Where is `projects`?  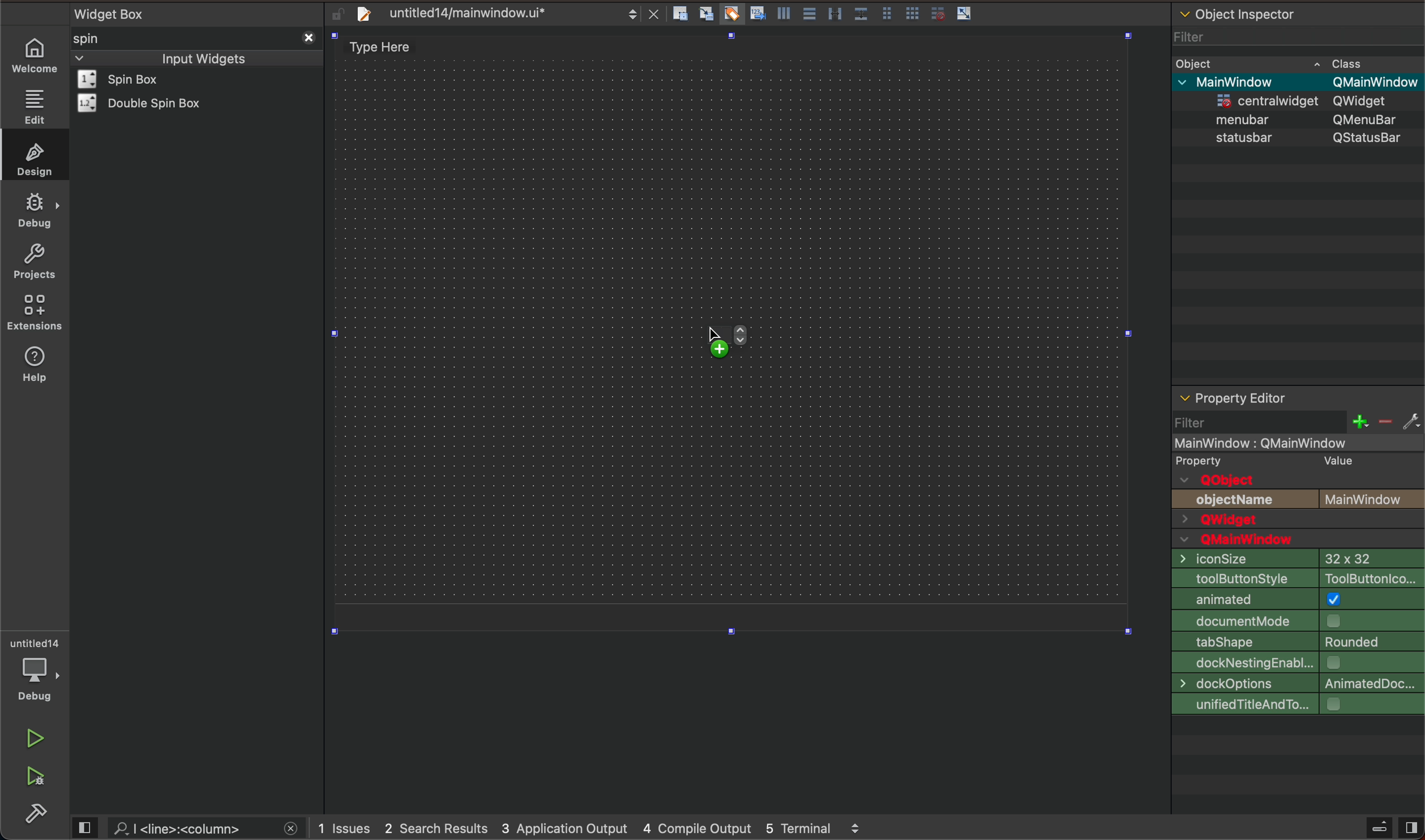
projects is located at coordinates (33, 261).